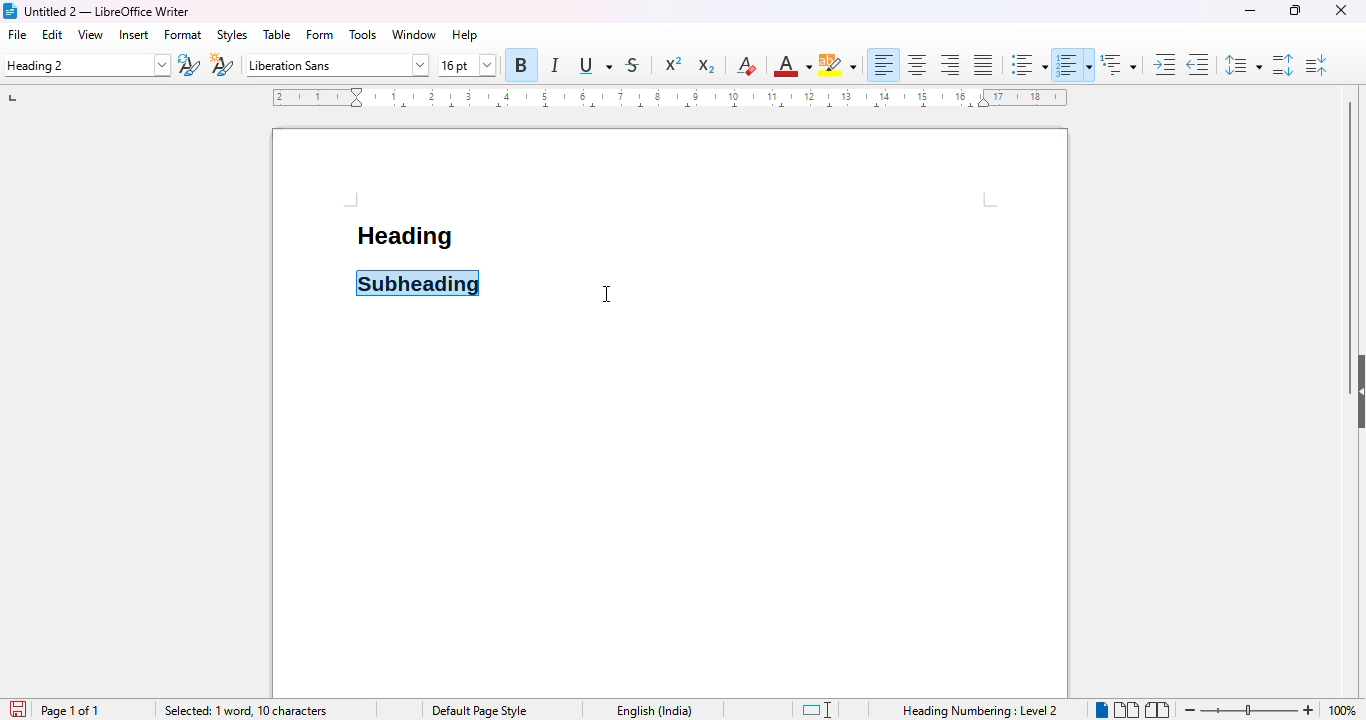  What do you see at coordinates (1308, 710) in the screenshot?
I see `zoom in` at bounding box center [1308, 710].